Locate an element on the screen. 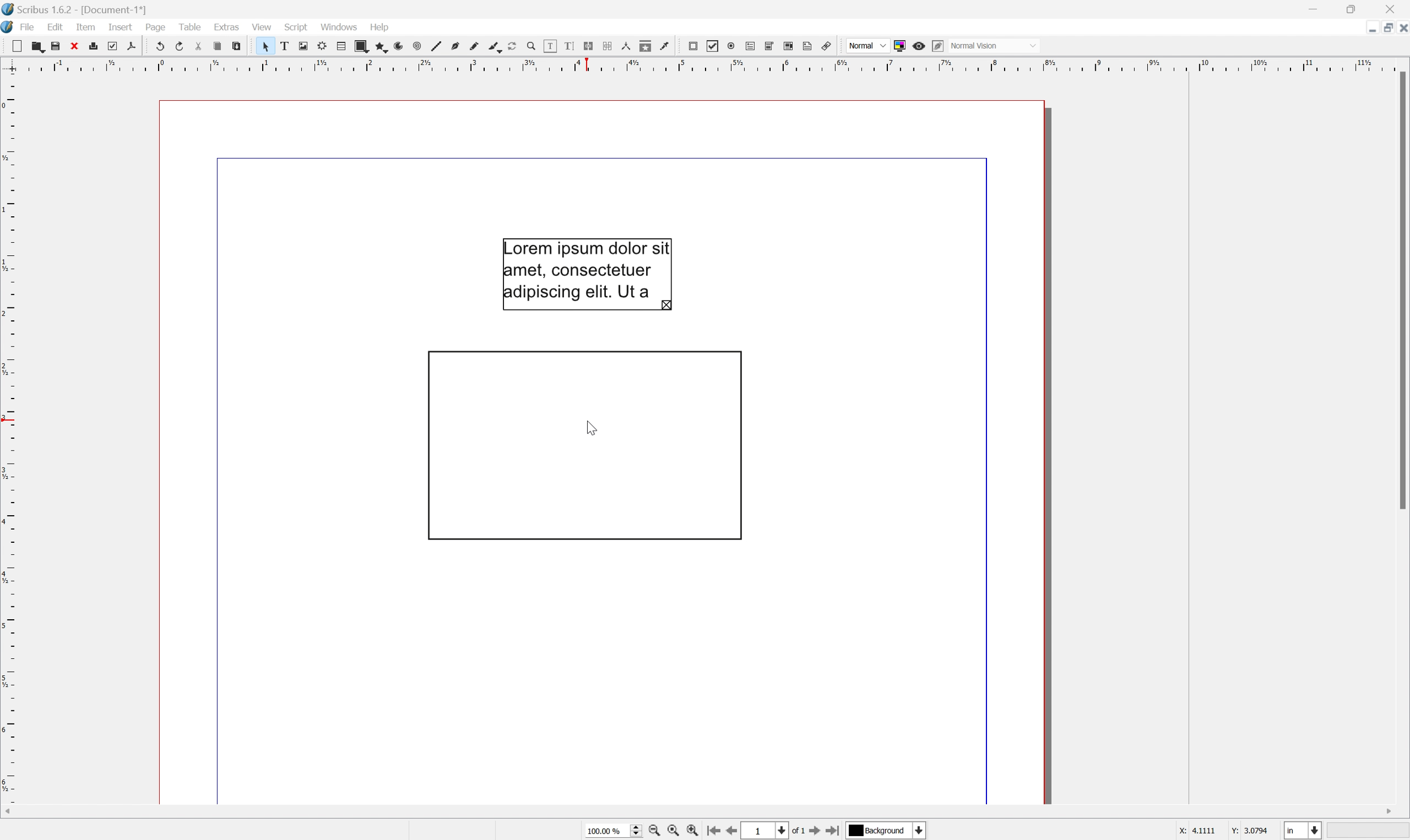 The width and height of the screenshot is (1410, 840). Open is located at coordinates (33, 47).